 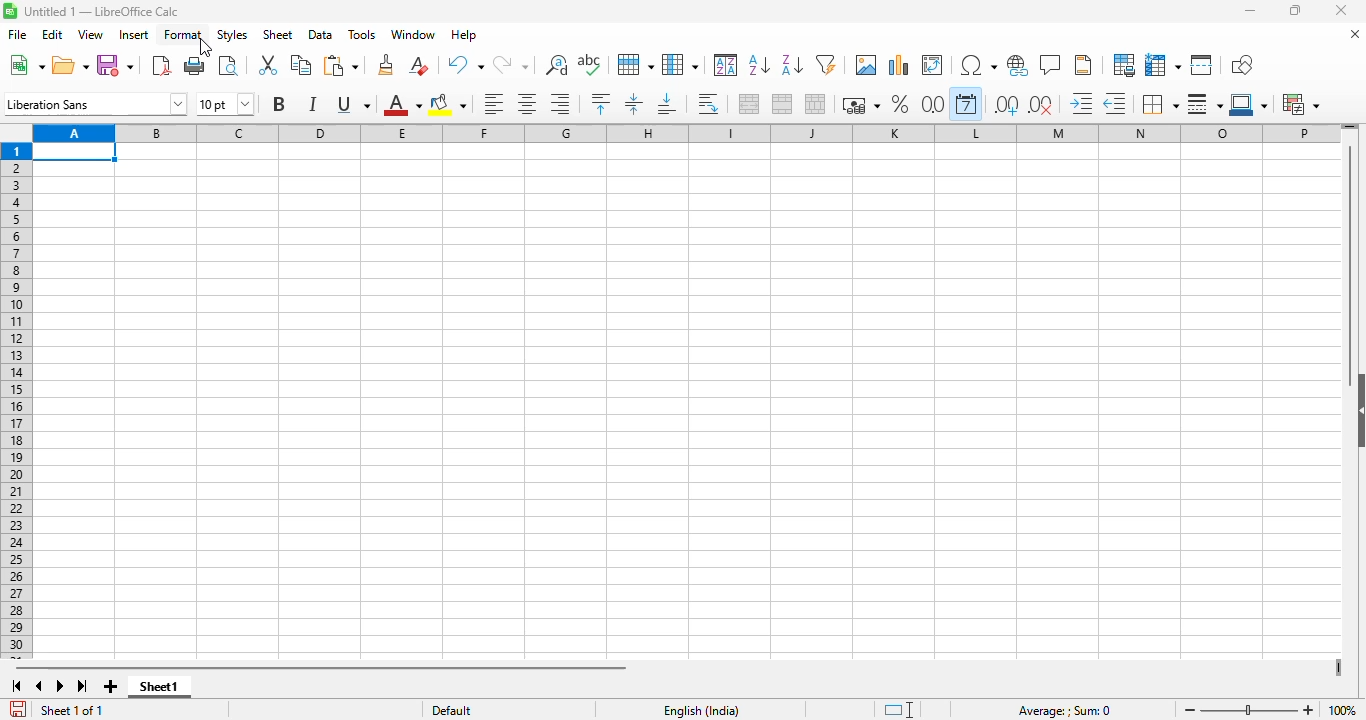 I want to click on align top, so click(x=600, y=104).